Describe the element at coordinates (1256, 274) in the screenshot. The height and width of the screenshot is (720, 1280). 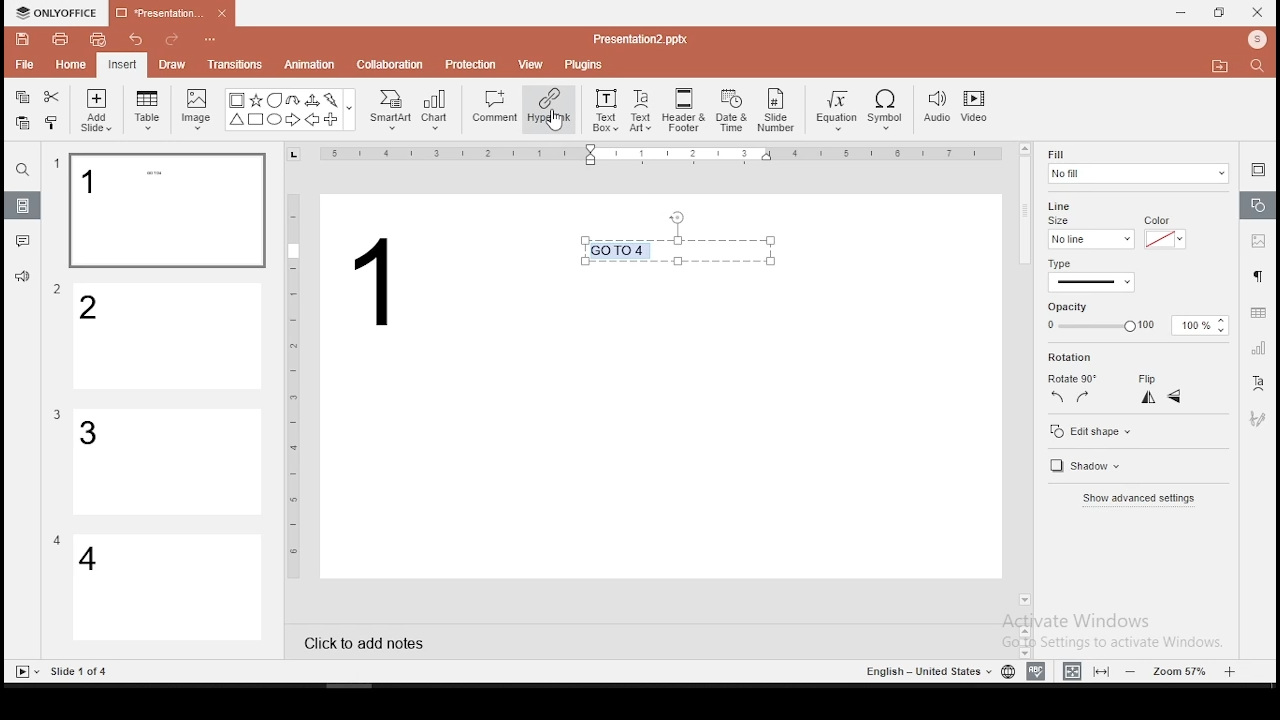
I see `paragraph settings` at that location.